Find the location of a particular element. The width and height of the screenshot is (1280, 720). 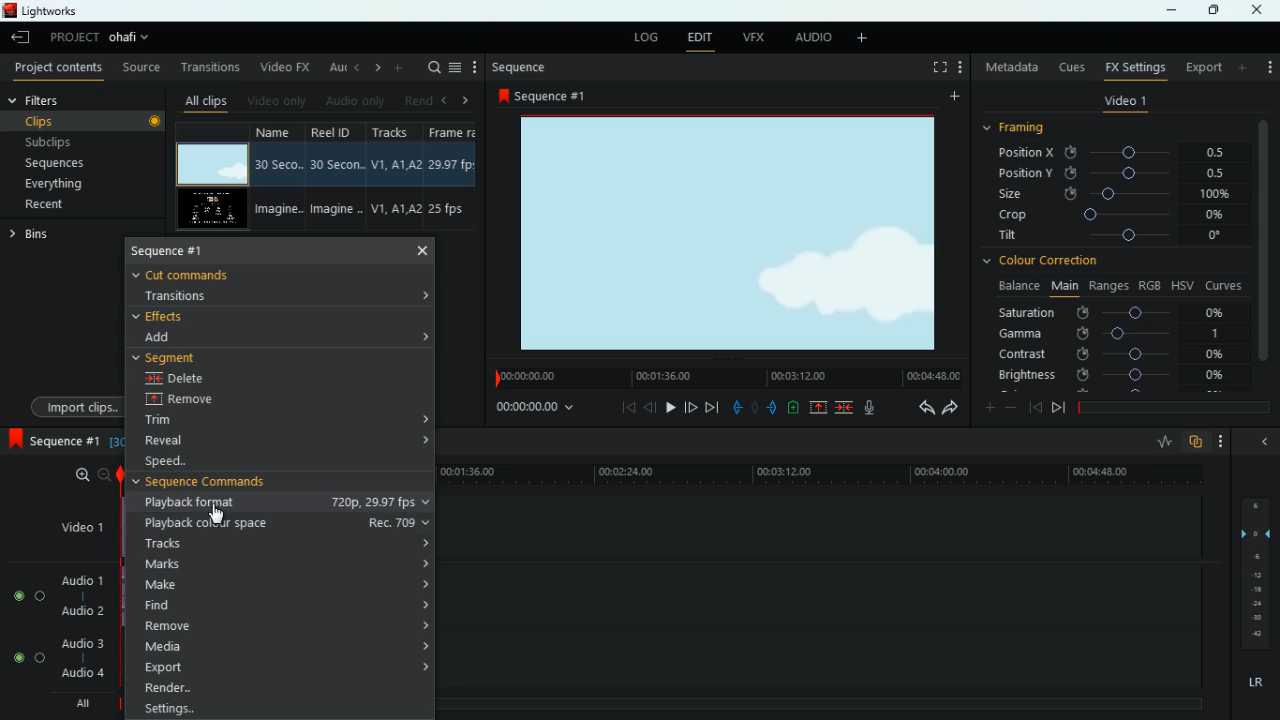

sequence 1 is located at coordinates (51, 439).